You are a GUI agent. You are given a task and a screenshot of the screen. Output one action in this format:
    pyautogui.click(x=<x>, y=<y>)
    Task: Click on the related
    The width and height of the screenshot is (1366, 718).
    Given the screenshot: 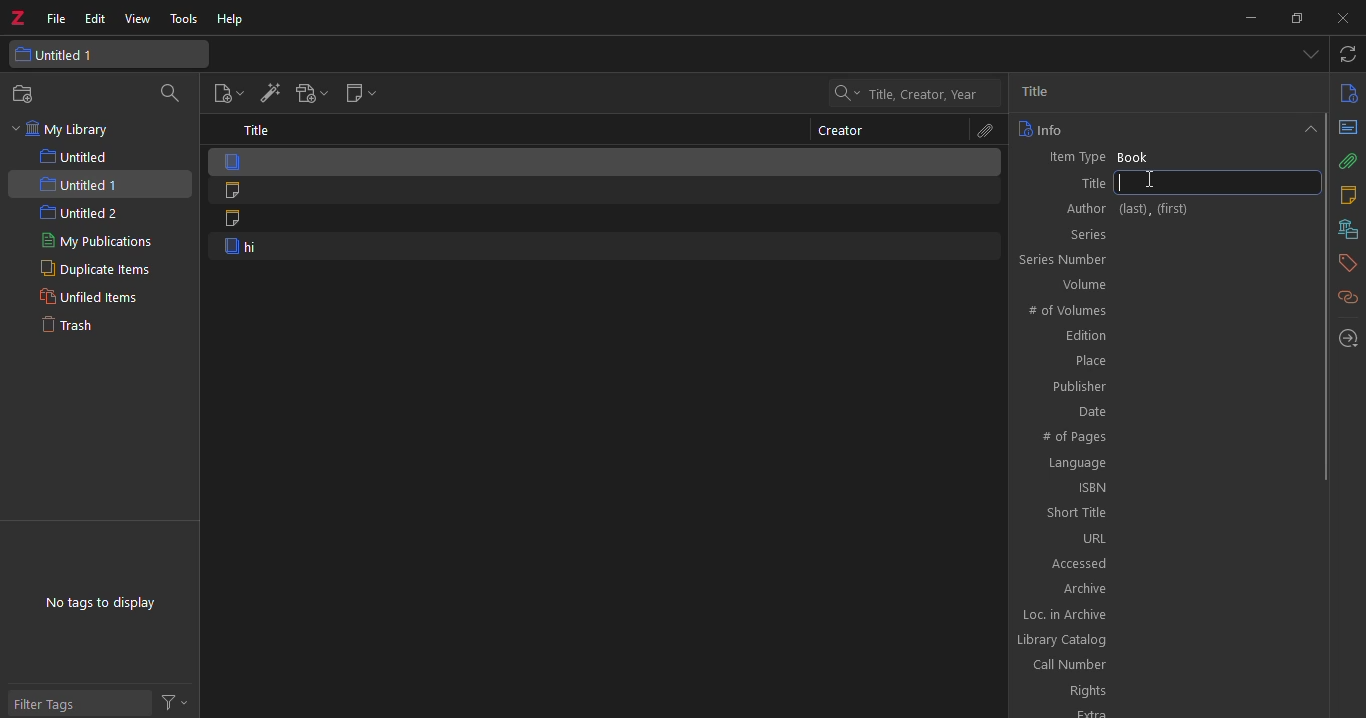 What is the action you would take?
    pyautogui.click(x=1347, y=297)
    